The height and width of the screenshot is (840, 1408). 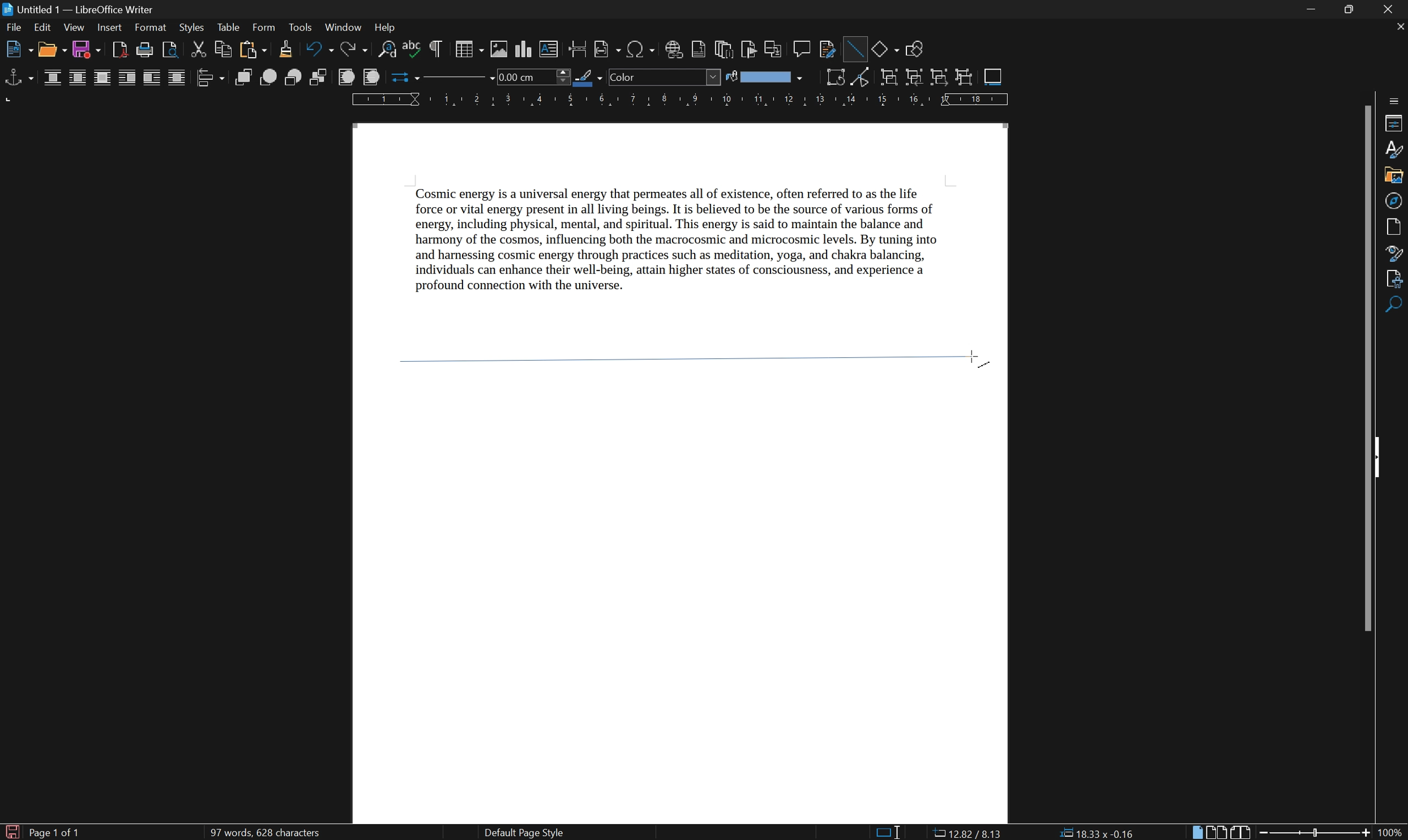 I want to click on toggle point edit mode, so click(x=865, y=79).